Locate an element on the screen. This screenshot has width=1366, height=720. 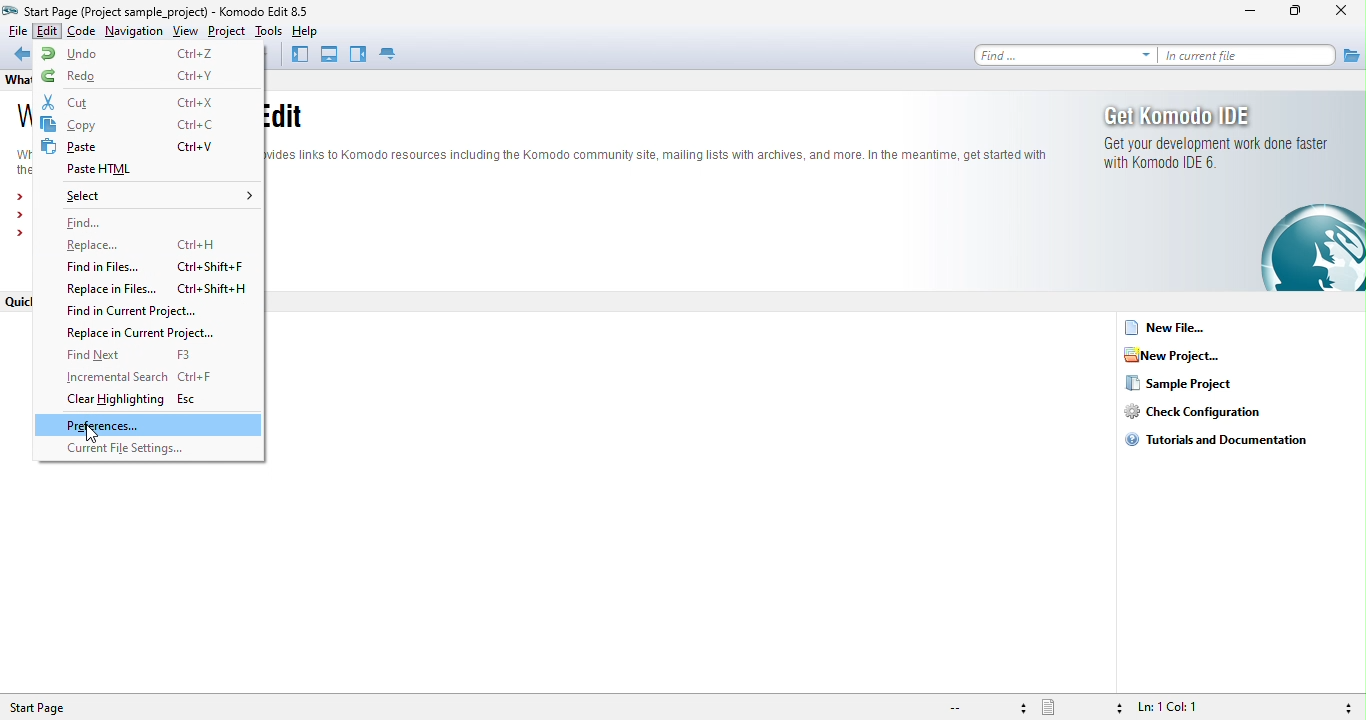
text is located at coordinates (658, 130).